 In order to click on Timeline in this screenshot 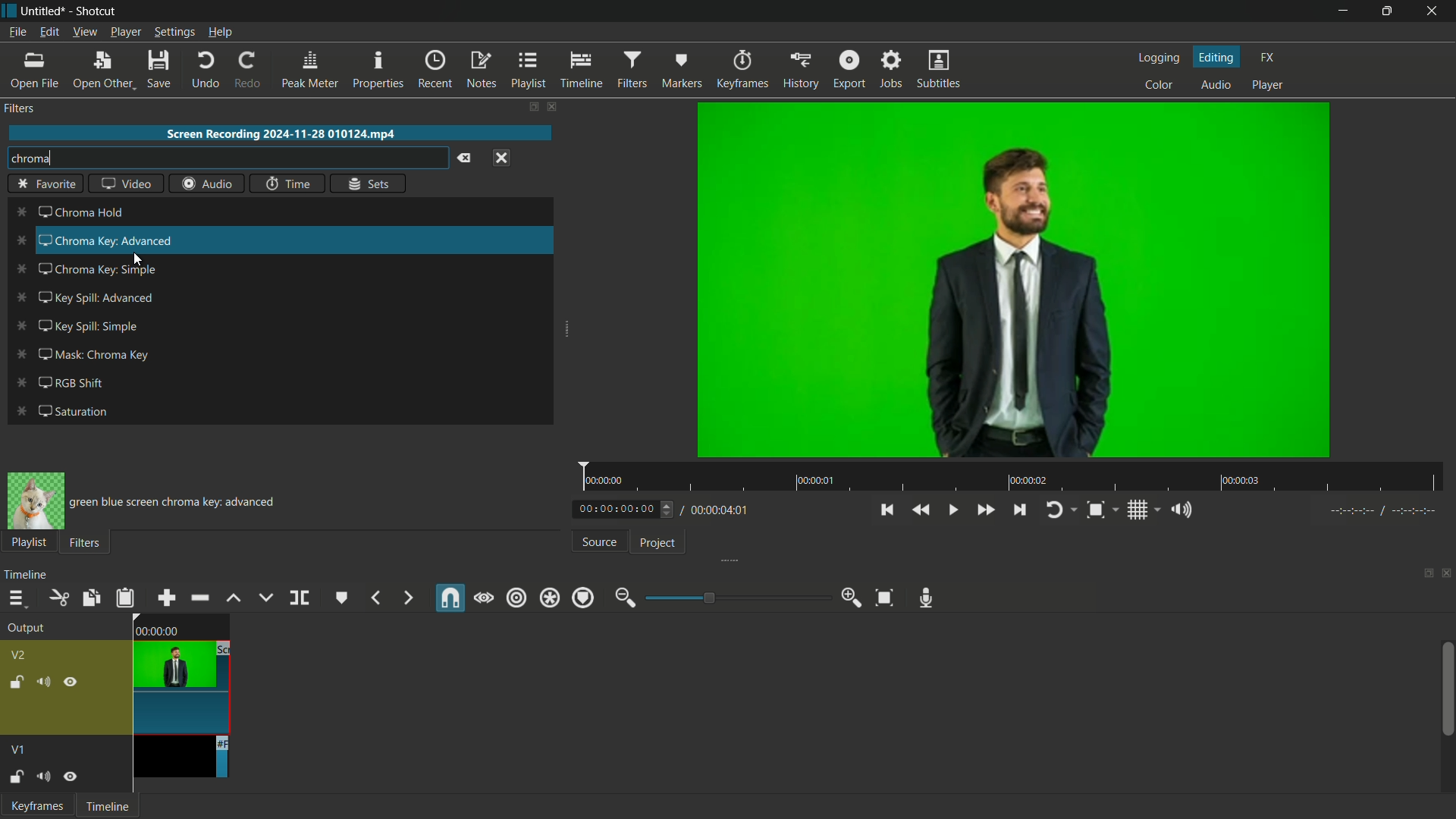, I will do `click(107, 805)`.